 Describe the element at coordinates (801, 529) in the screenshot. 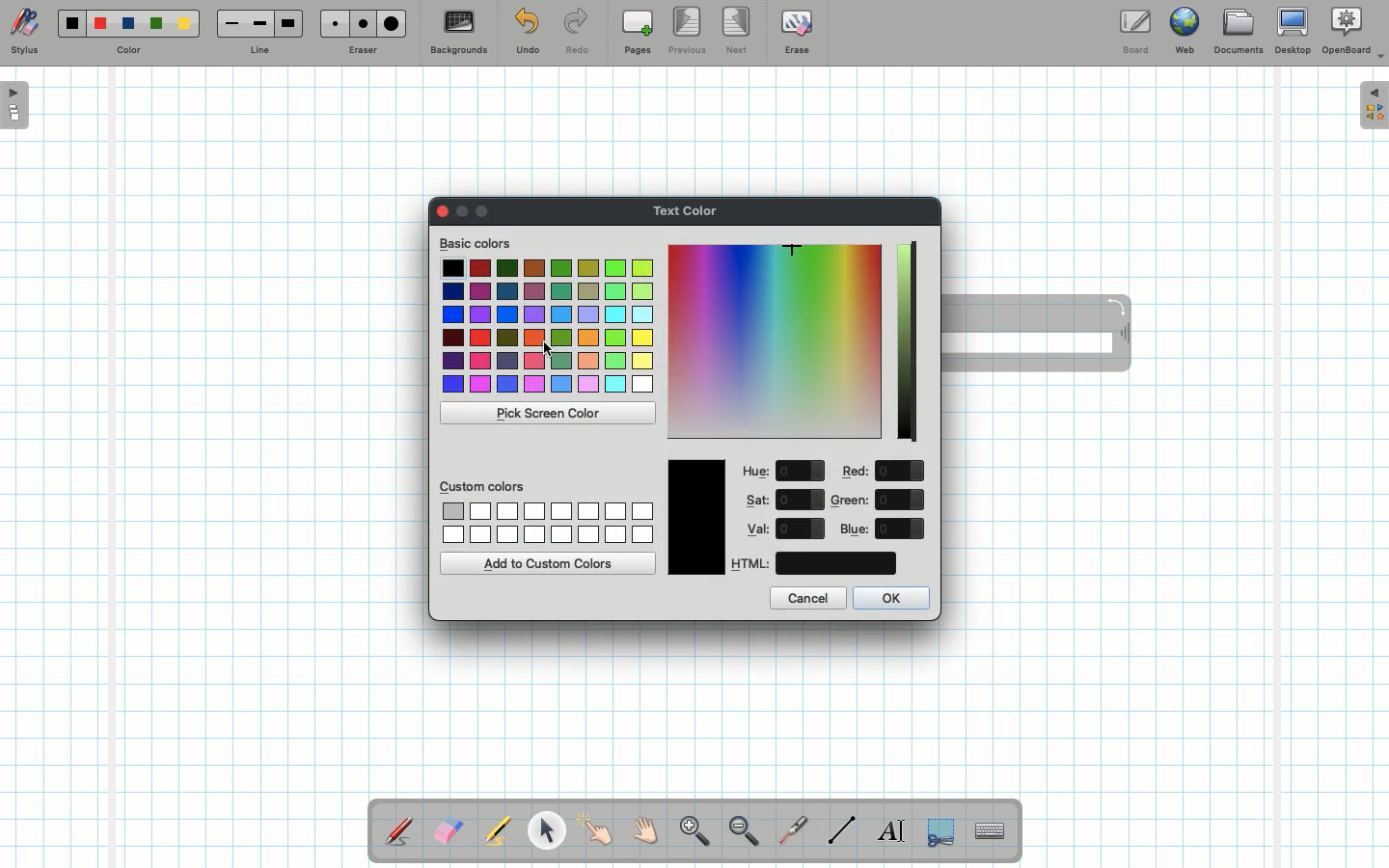

I see `value` at that location.